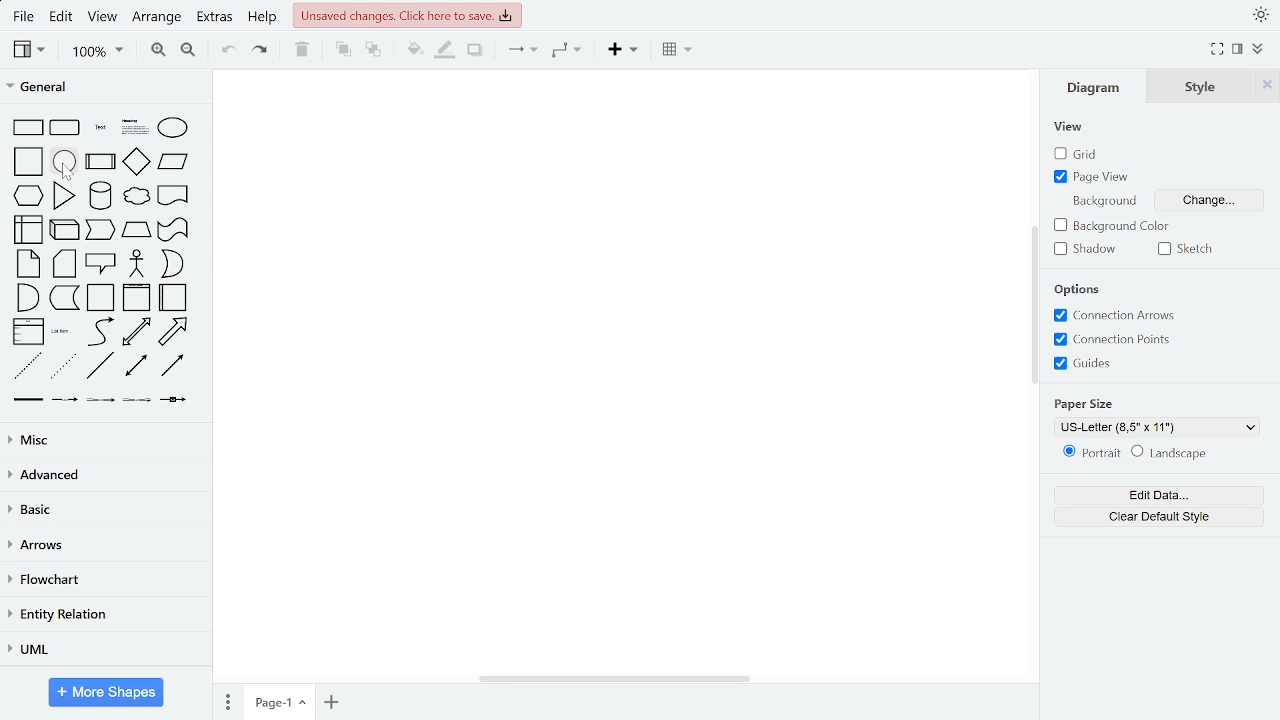 Image resolution: width=1280 pixels, height=720 pixels. I want to click on connection points, so click(1119, 339).